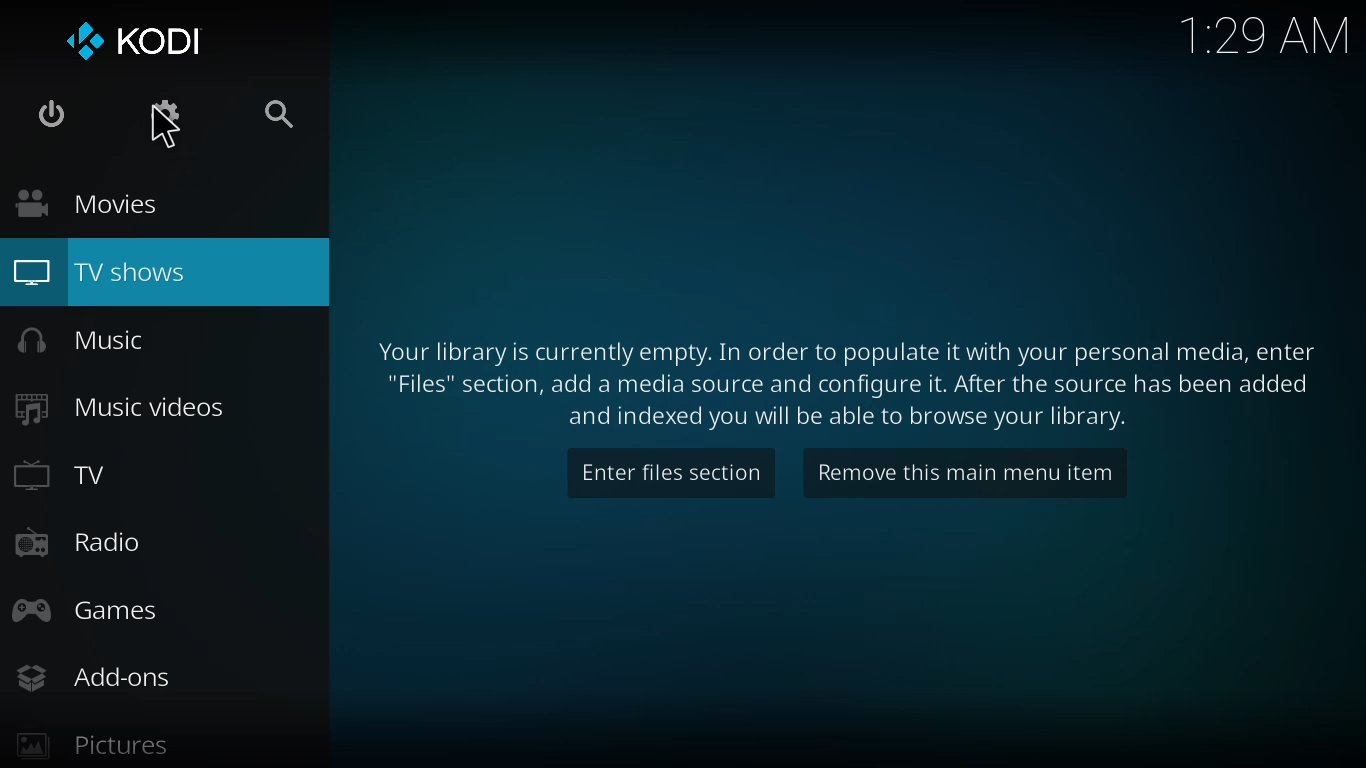 The height and width of the screenshot is (768, 1366). What do you see at coordinates (83, 202) in the screenshot?
I see `movies` at bounding box center [83, 202].